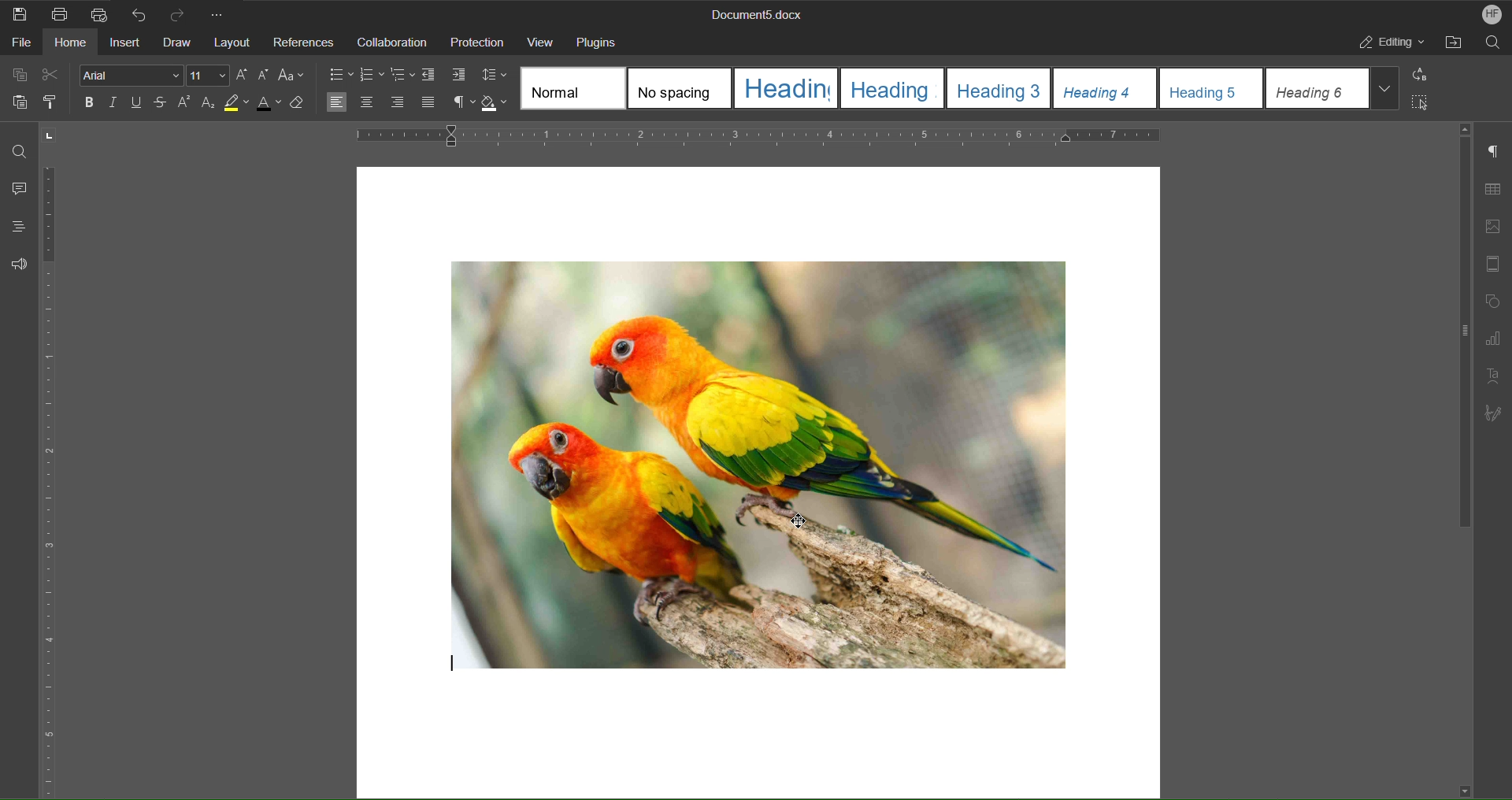  Describe the element at coordinates (56, 103) in the screenshot. I see `Copy Style` at that location.